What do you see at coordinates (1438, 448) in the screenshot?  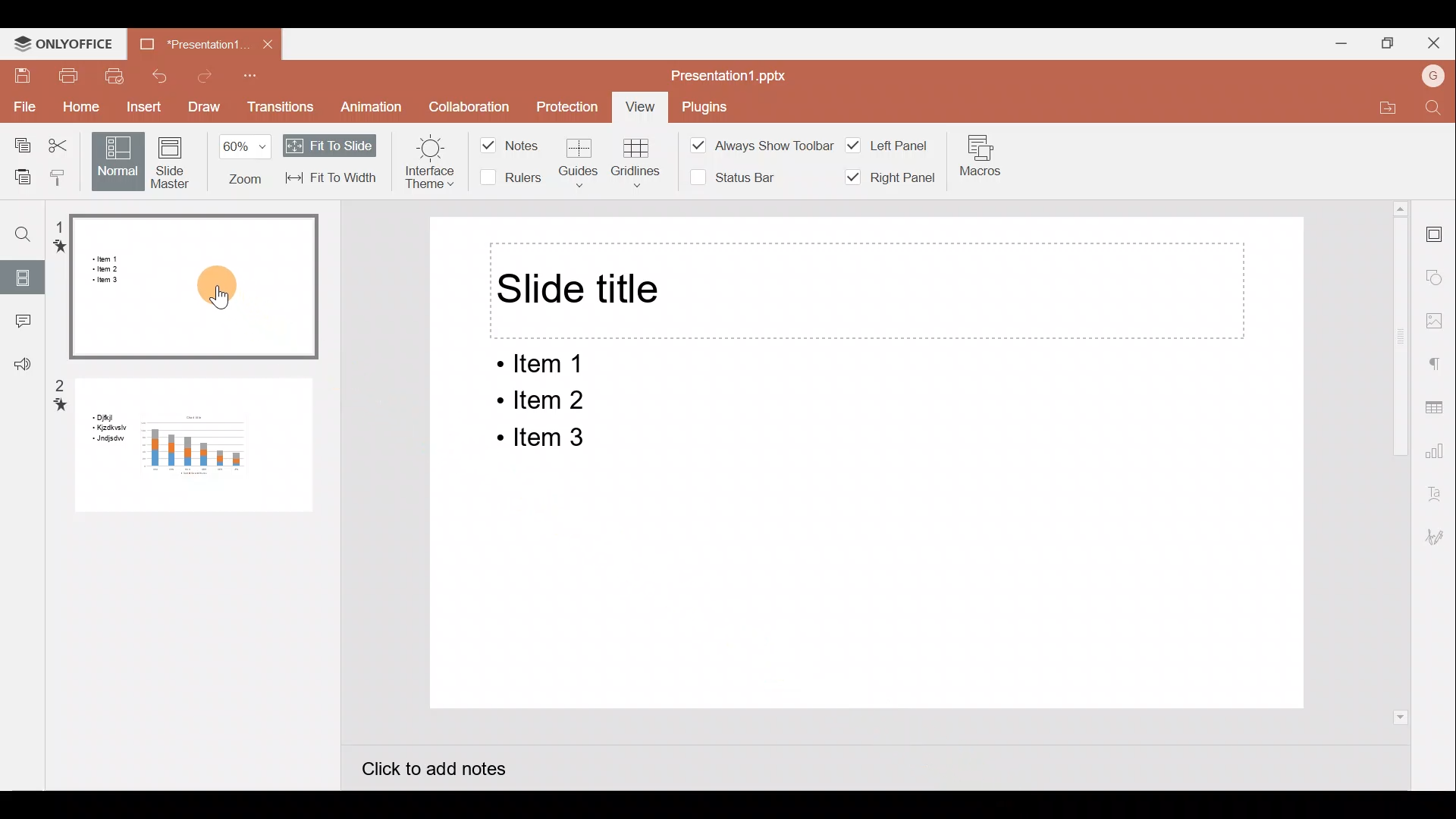 I see `Chart settings` at bounding box center [1438, 448].